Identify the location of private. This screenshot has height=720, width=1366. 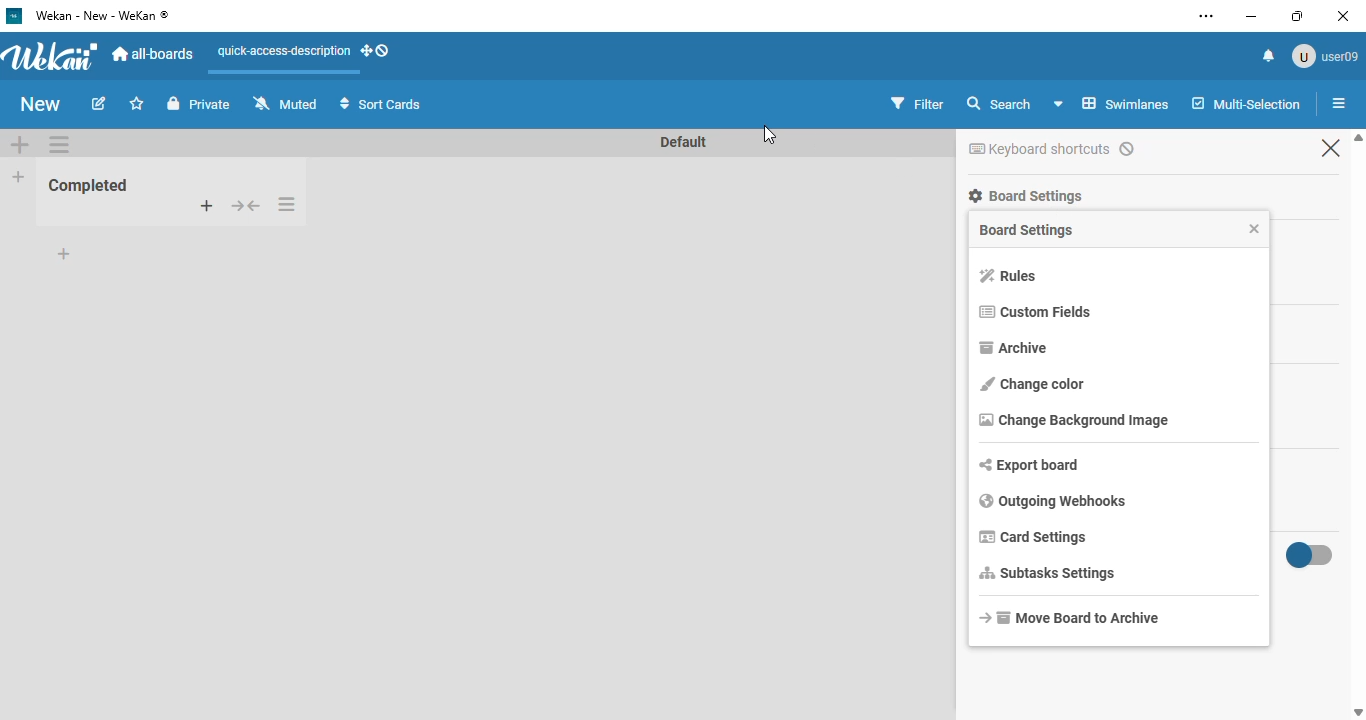
(200, 104).